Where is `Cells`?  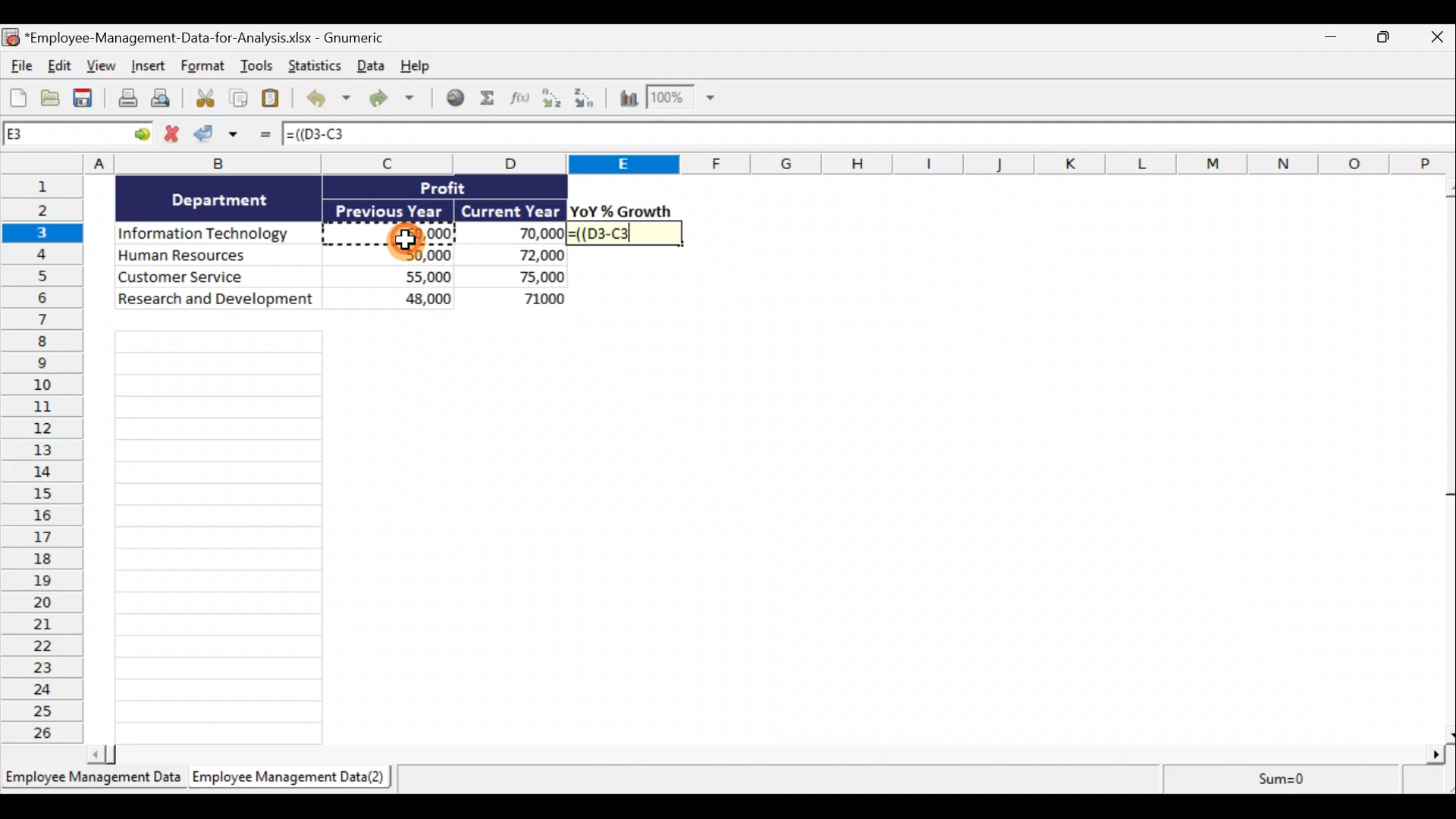 Cells is located at coordinates (220, 537).